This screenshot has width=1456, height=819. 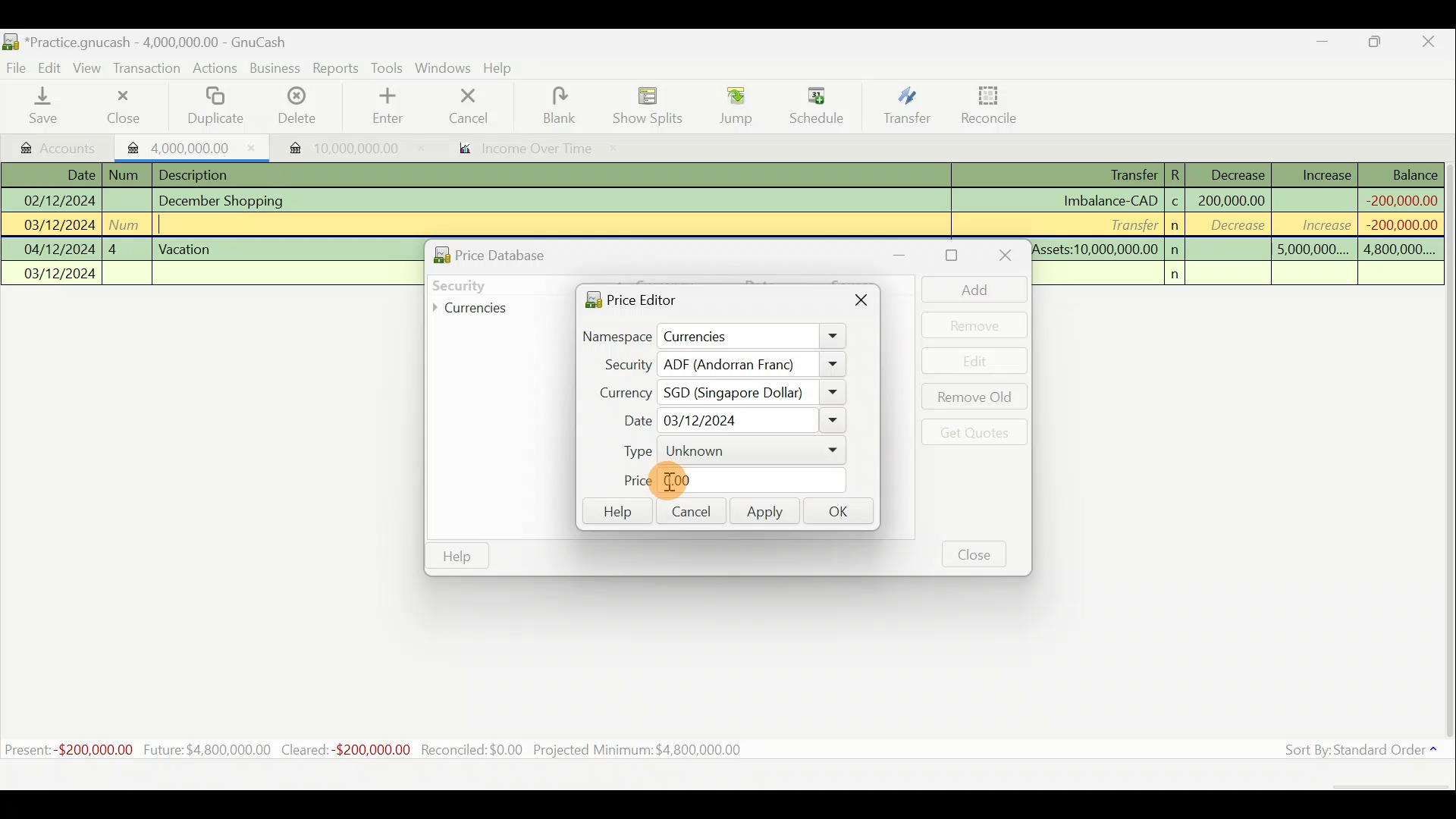 I want to click on decrease, so click(x=1233, y=227).